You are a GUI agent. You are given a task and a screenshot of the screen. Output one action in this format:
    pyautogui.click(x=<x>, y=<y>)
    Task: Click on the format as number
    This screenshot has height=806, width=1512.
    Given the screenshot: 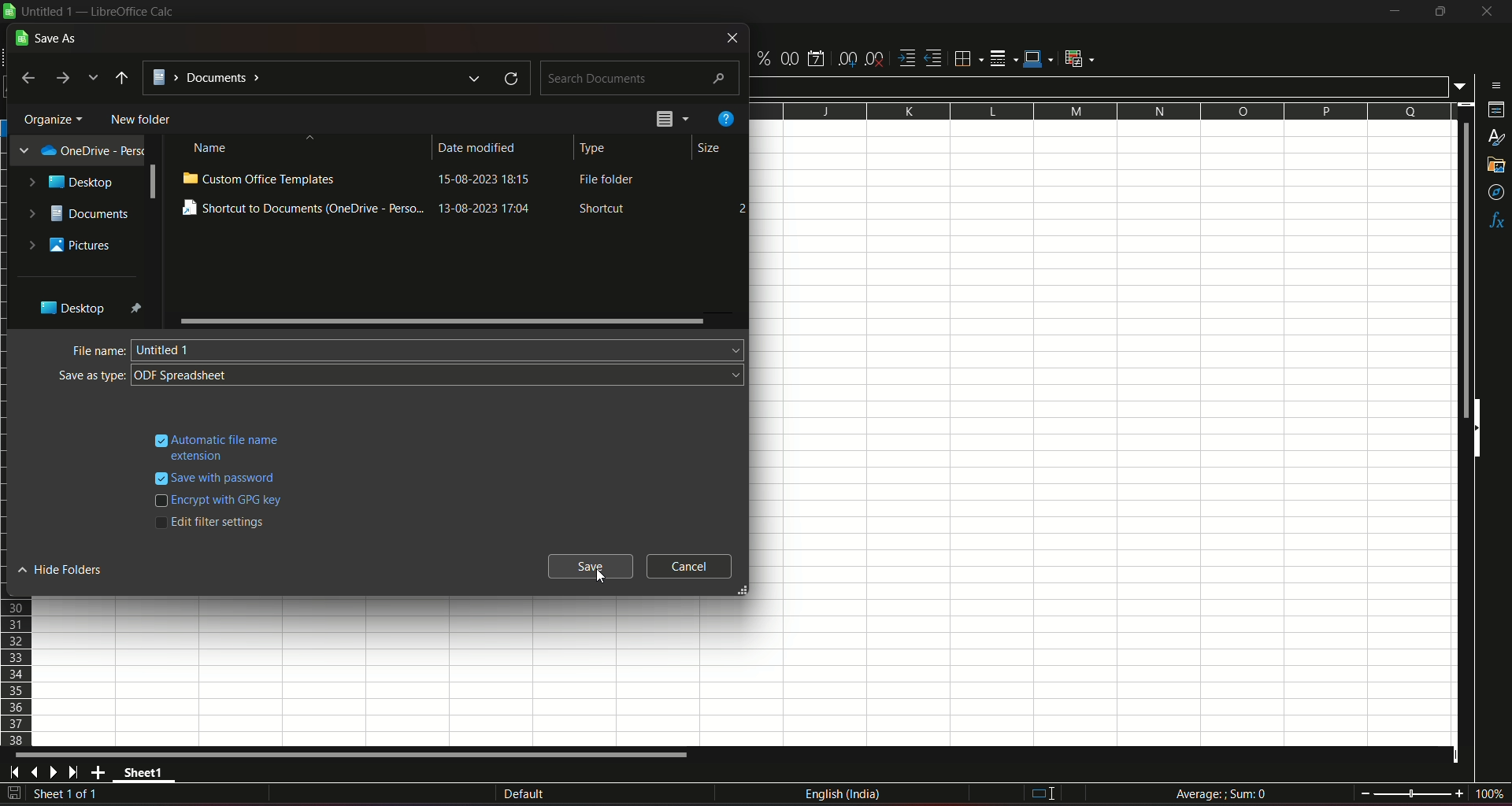 What is the action you would take?
    pyautogui.click(x=790, y=58)
    